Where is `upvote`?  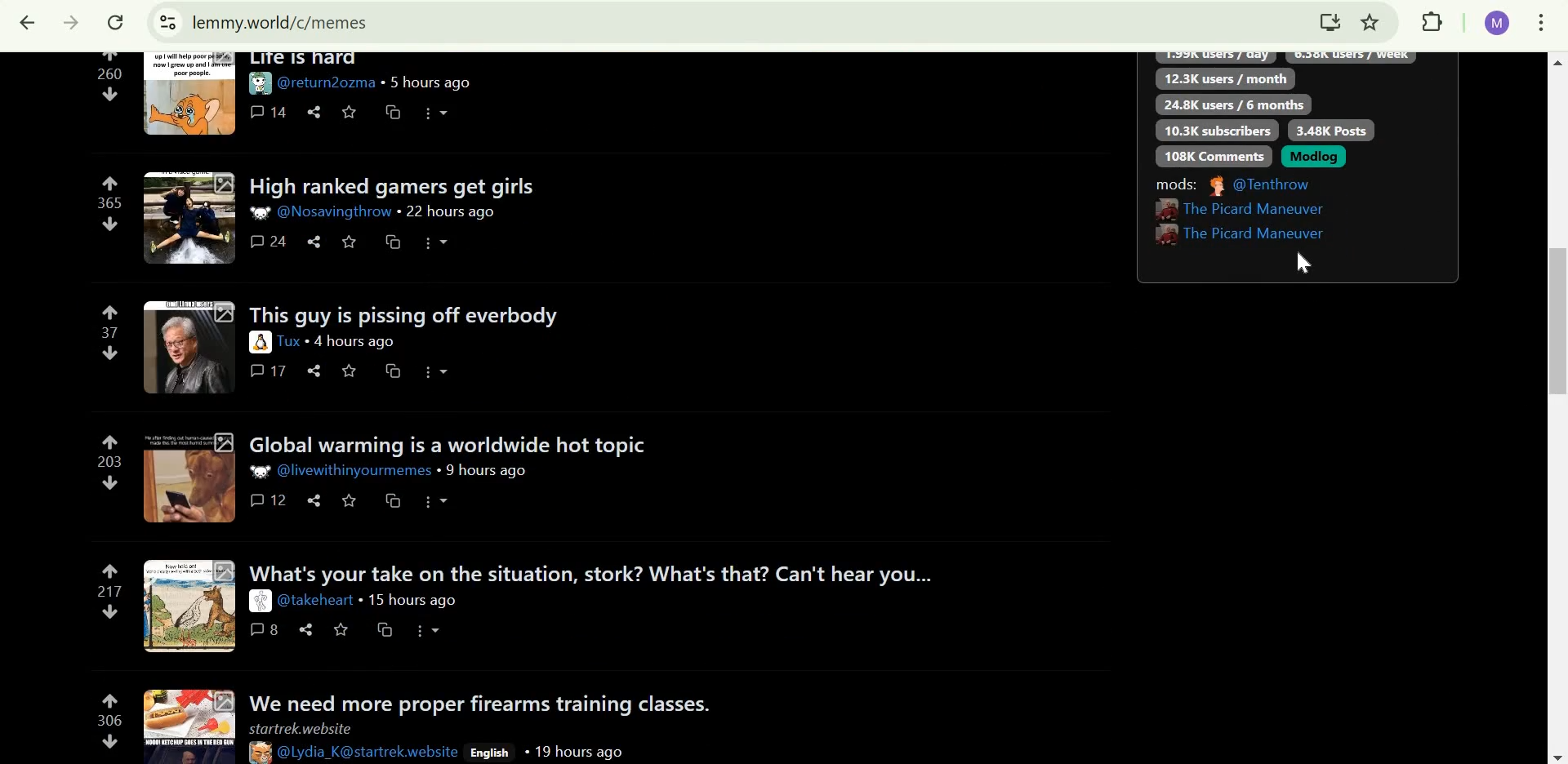
upvote is located at coordinates (111, 570).